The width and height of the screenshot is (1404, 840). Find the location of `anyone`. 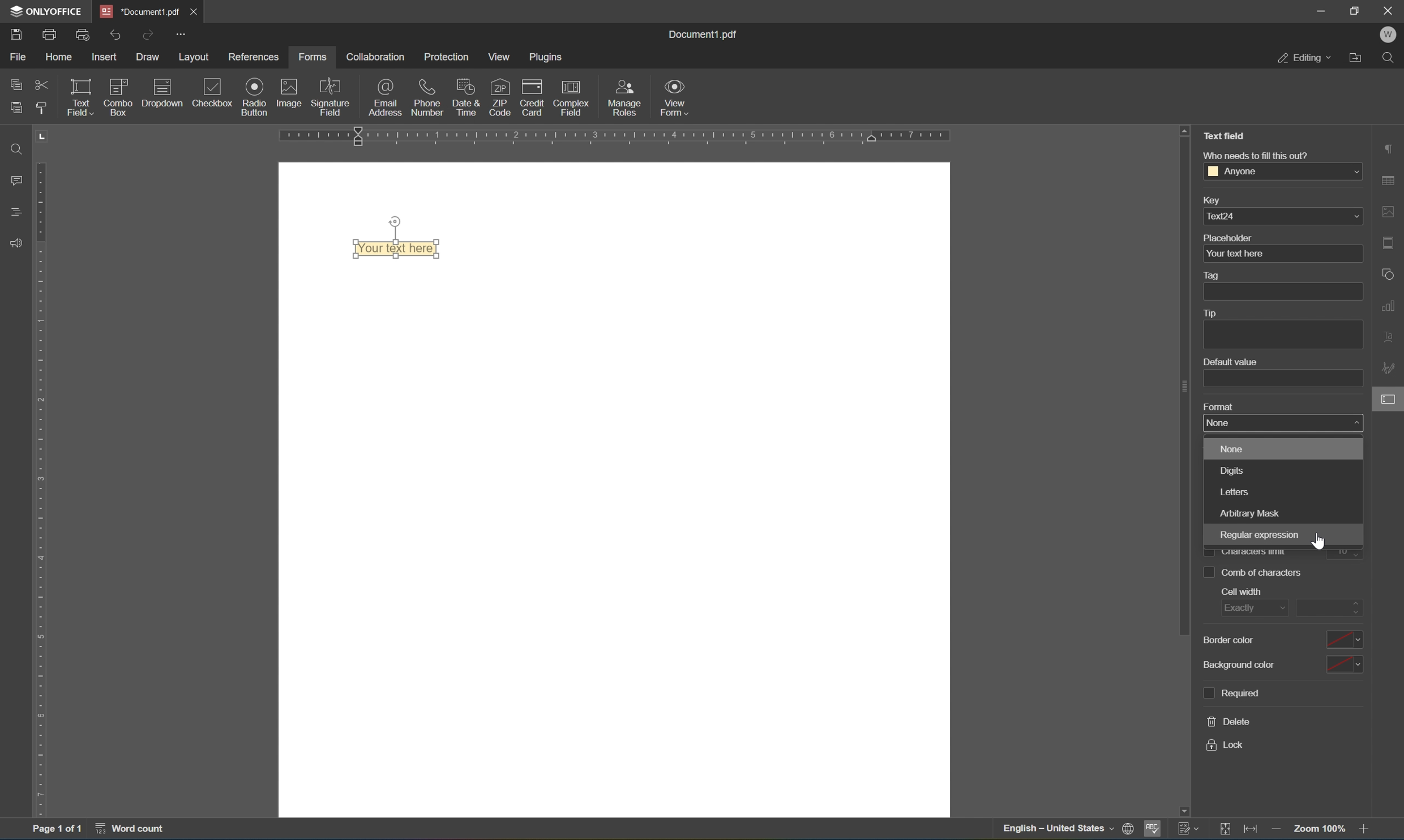

anyone is located at coordinates (1283, 170).